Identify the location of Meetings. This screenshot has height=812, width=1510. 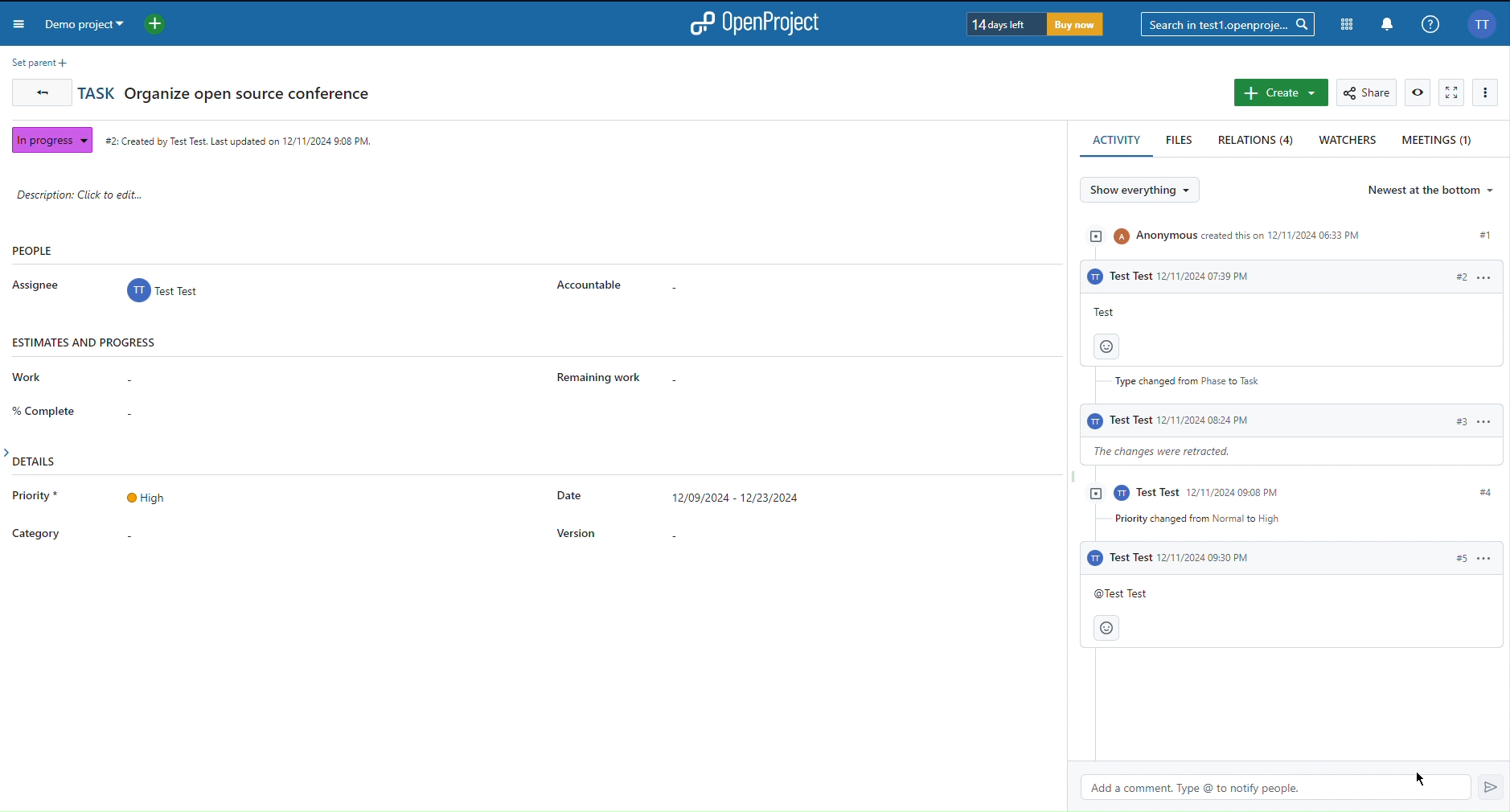
(1439, 139).